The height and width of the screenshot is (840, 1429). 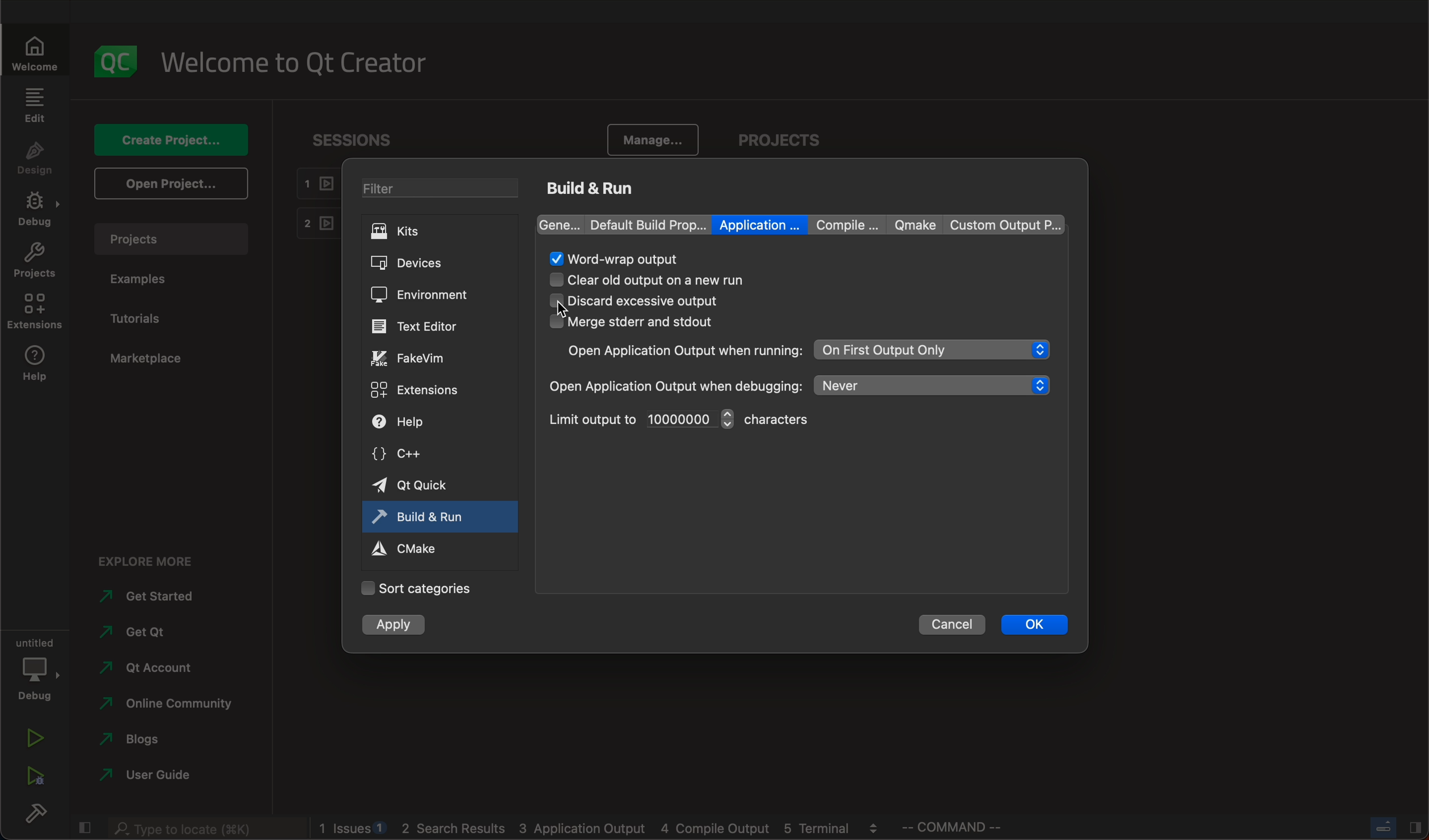 I want to click on limit output, so click(x=639, y=419).